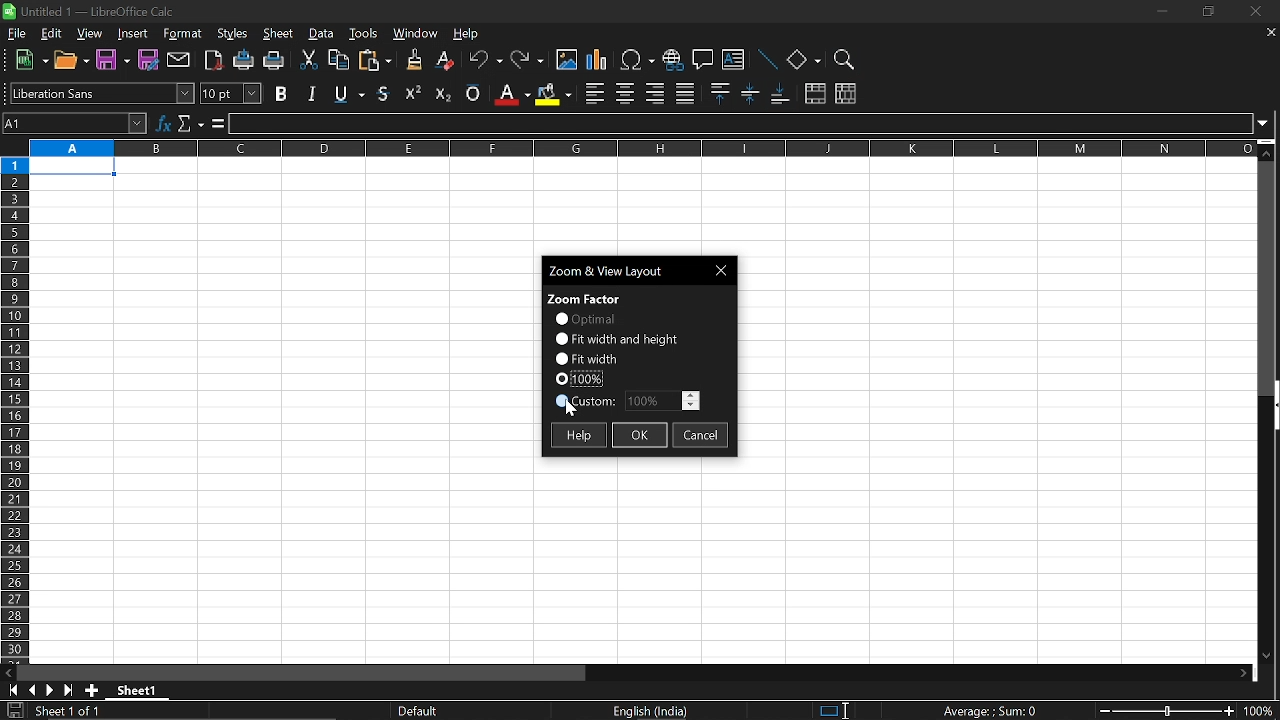 This screenshot has width=1280, height=720. What do you see at coordinates (322, 34) in the screenshot?
I see `data` at bounding box center [322, 34].